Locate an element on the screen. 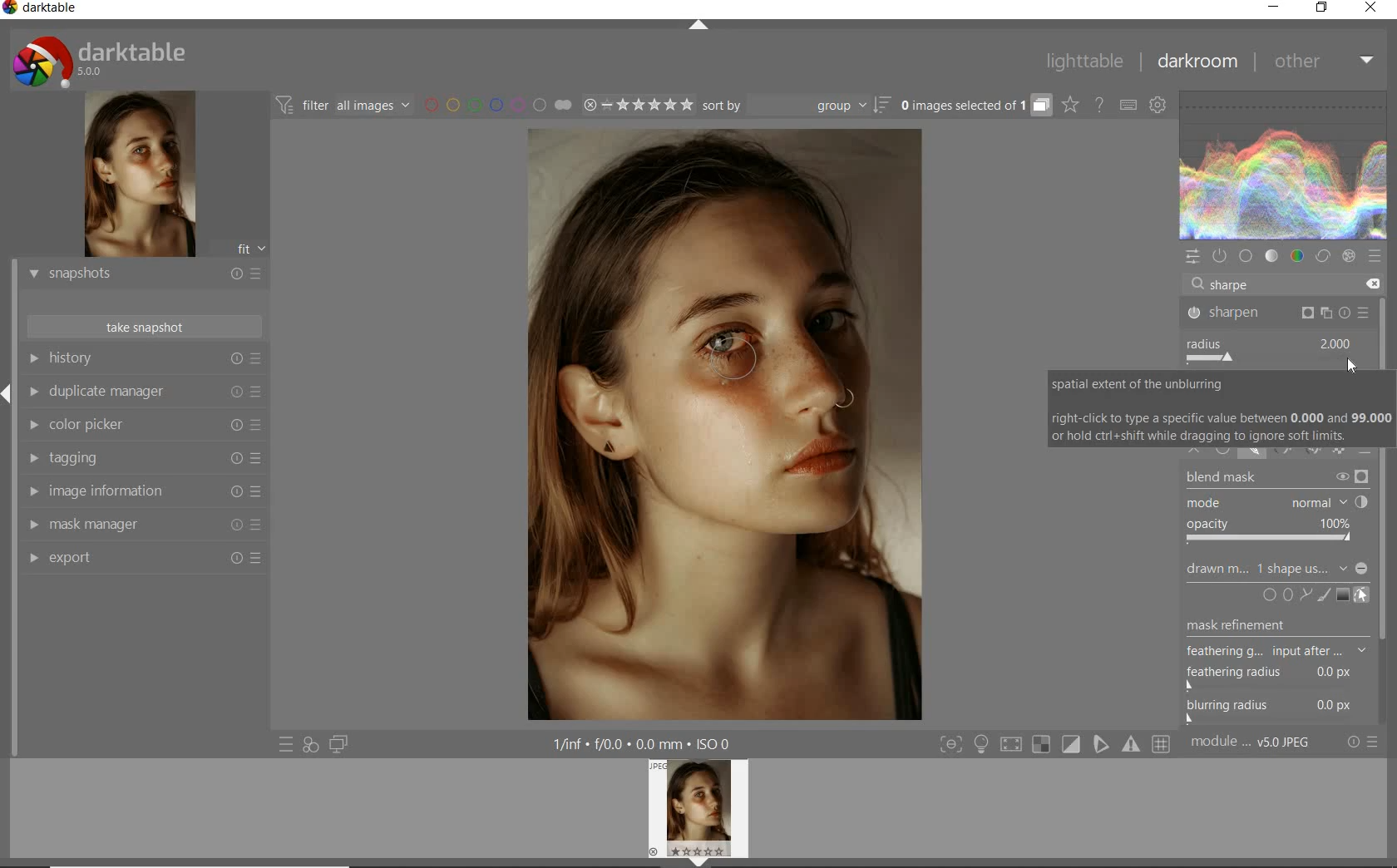  waveform is located at coordinates (1284, 165).